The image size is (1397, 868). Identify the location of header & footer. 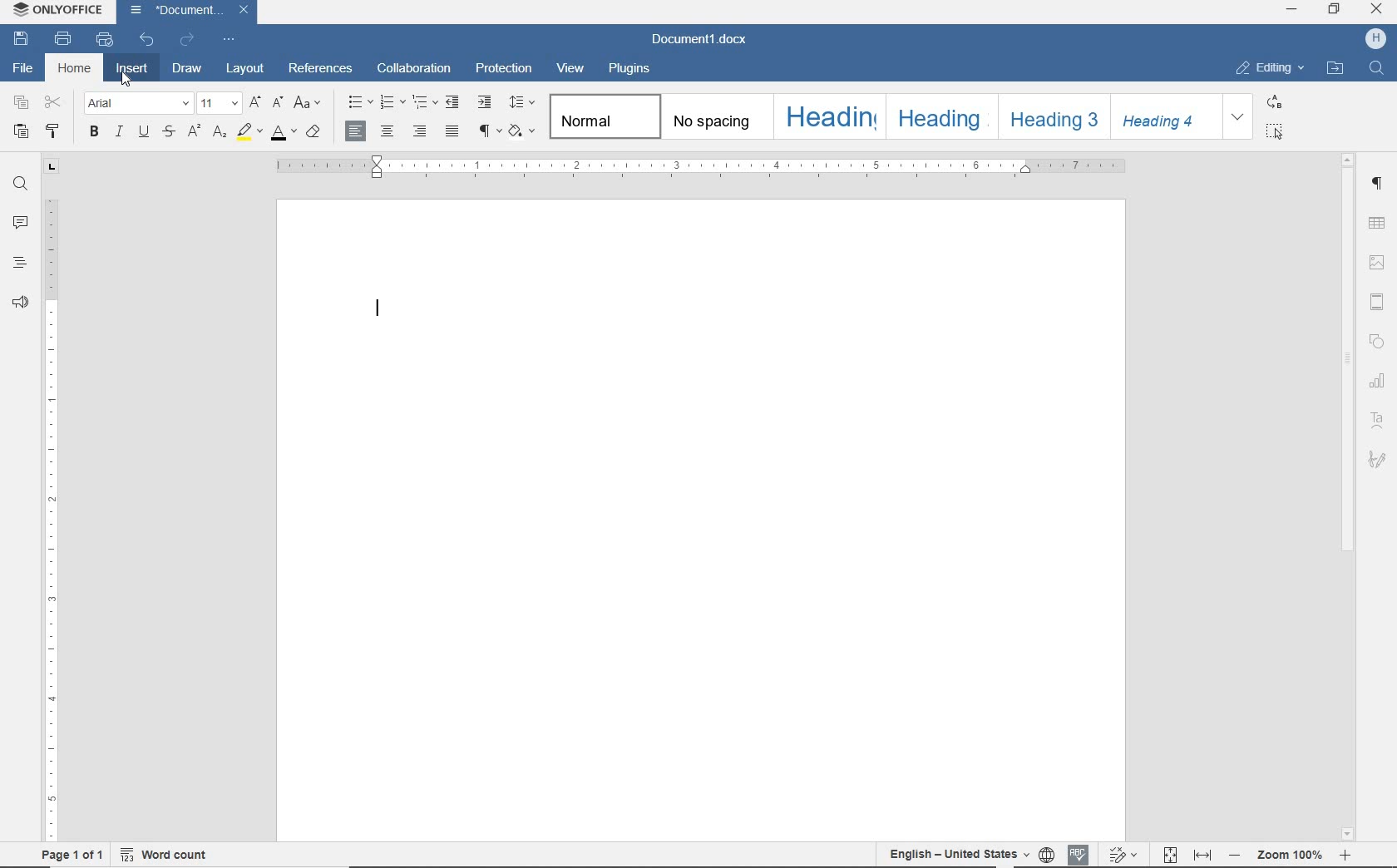
(1378, 300).